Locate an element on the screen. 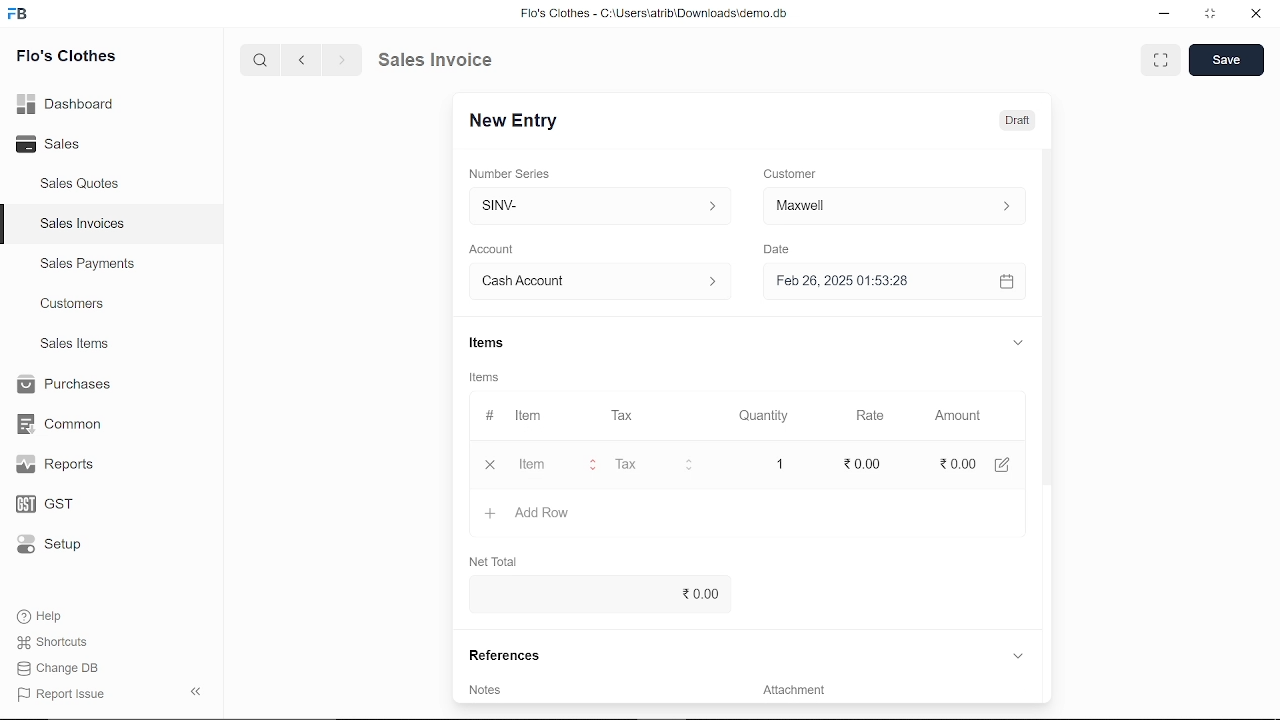  save is located at coordinates (1226, 60).